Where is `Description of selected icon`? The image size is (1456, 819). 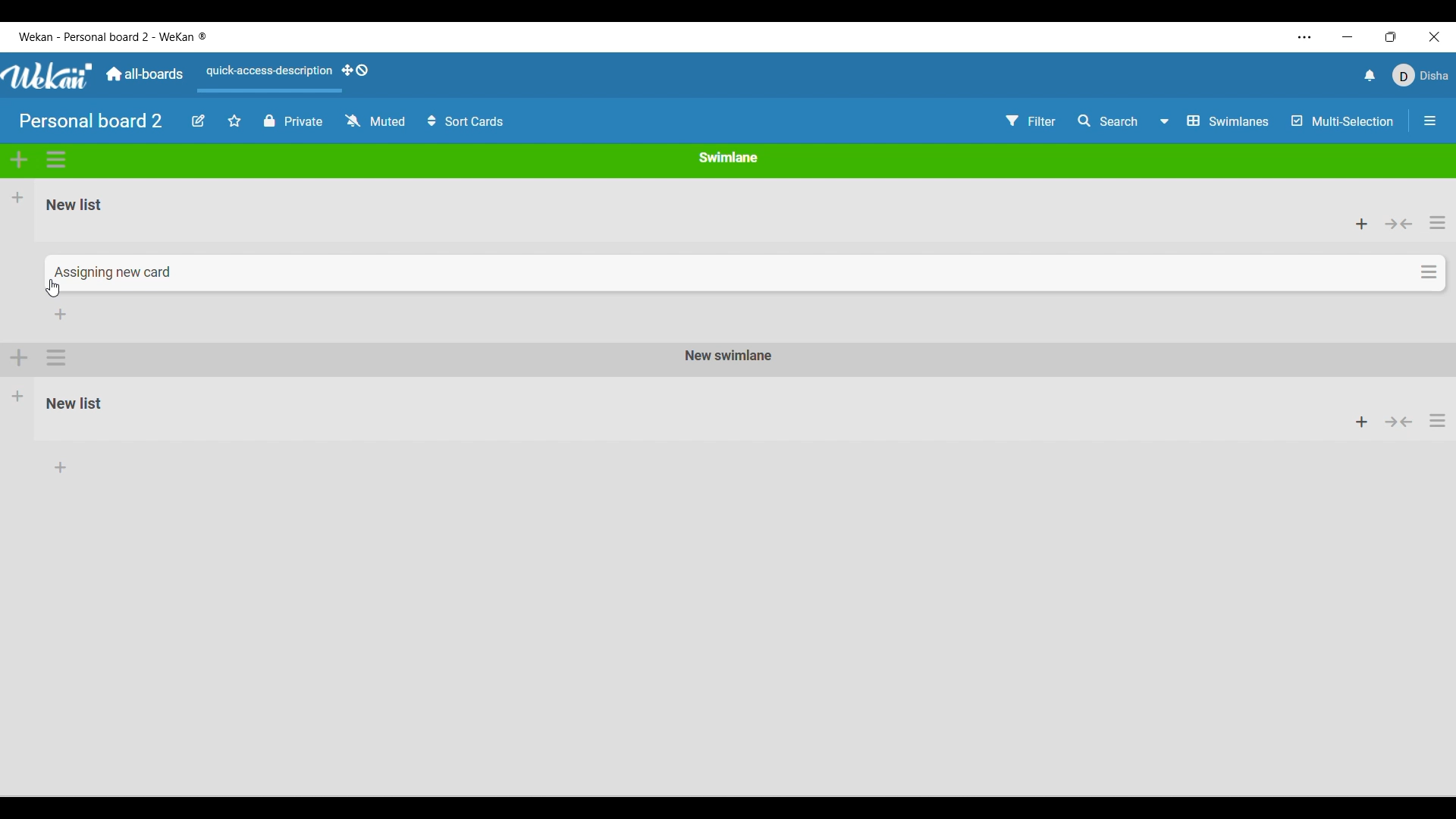
Description of selected icon is located at coordinates (71, 182).